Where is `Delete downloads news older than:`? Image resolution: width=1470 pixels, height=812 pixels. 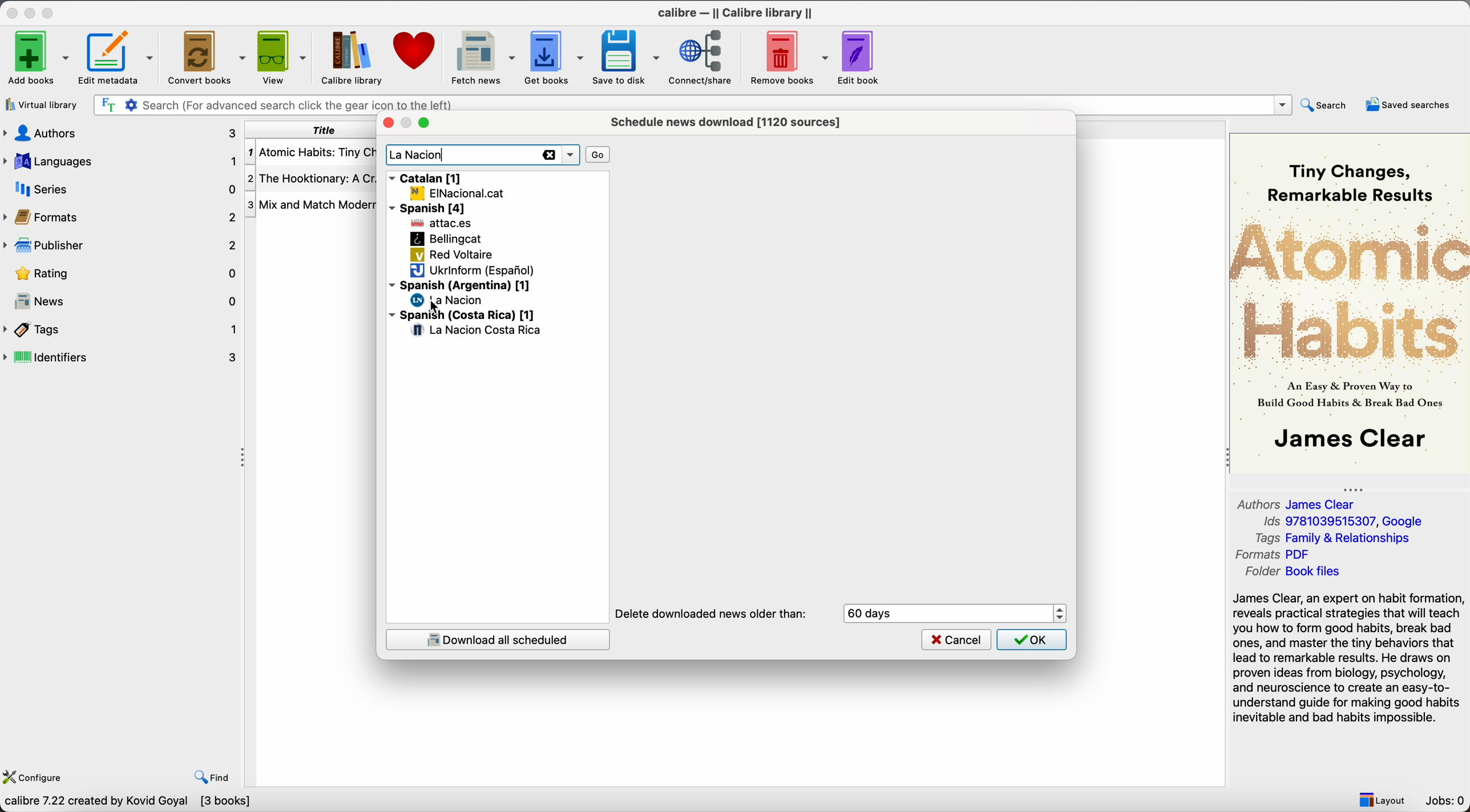
Delete downloads news older than: is located at coordinates (712, 614).